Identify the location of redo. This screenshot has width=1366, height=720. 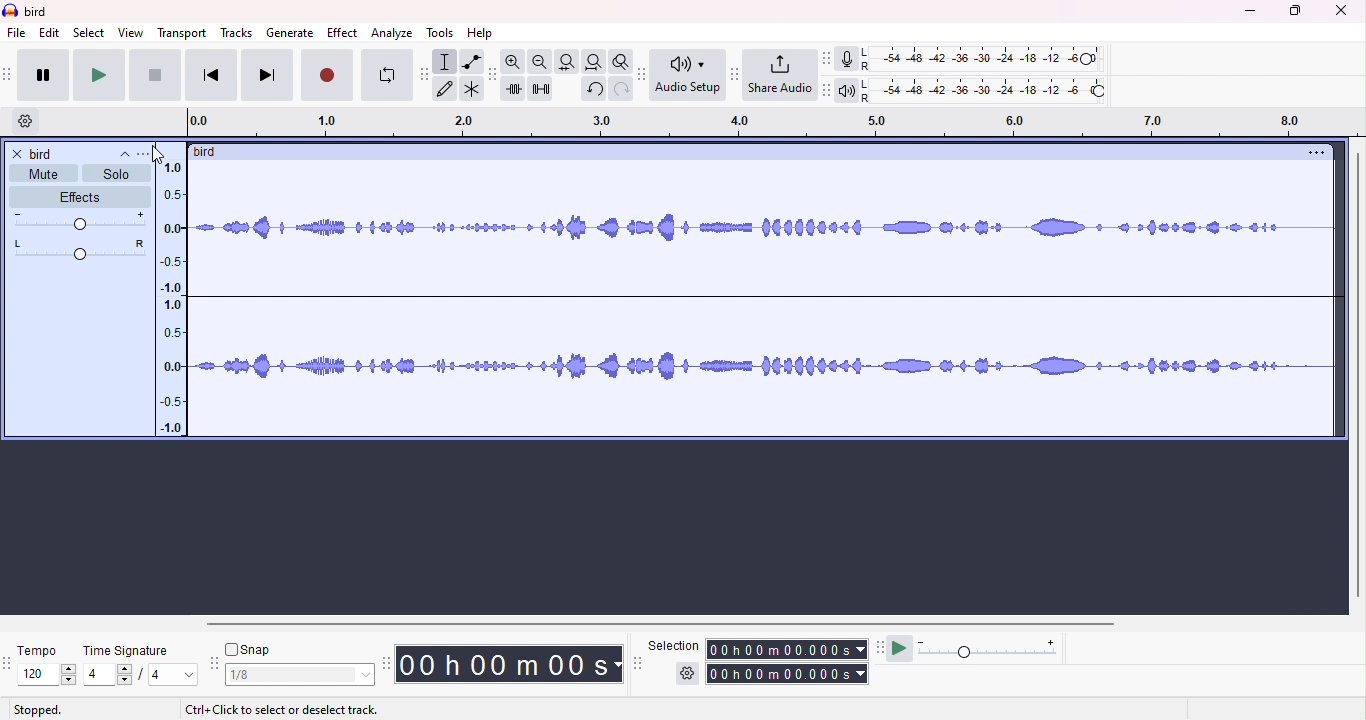
(622, 89).